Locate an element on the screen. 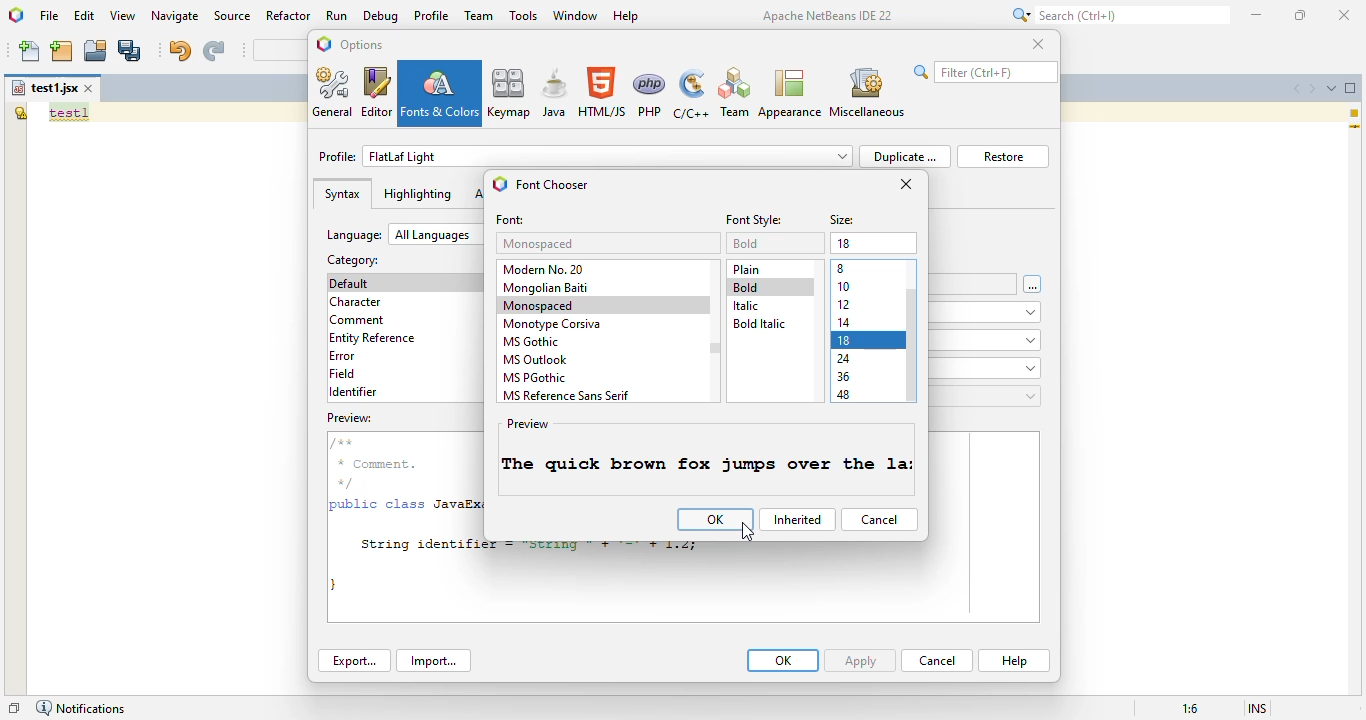  run is located at coordinates (337, 16).